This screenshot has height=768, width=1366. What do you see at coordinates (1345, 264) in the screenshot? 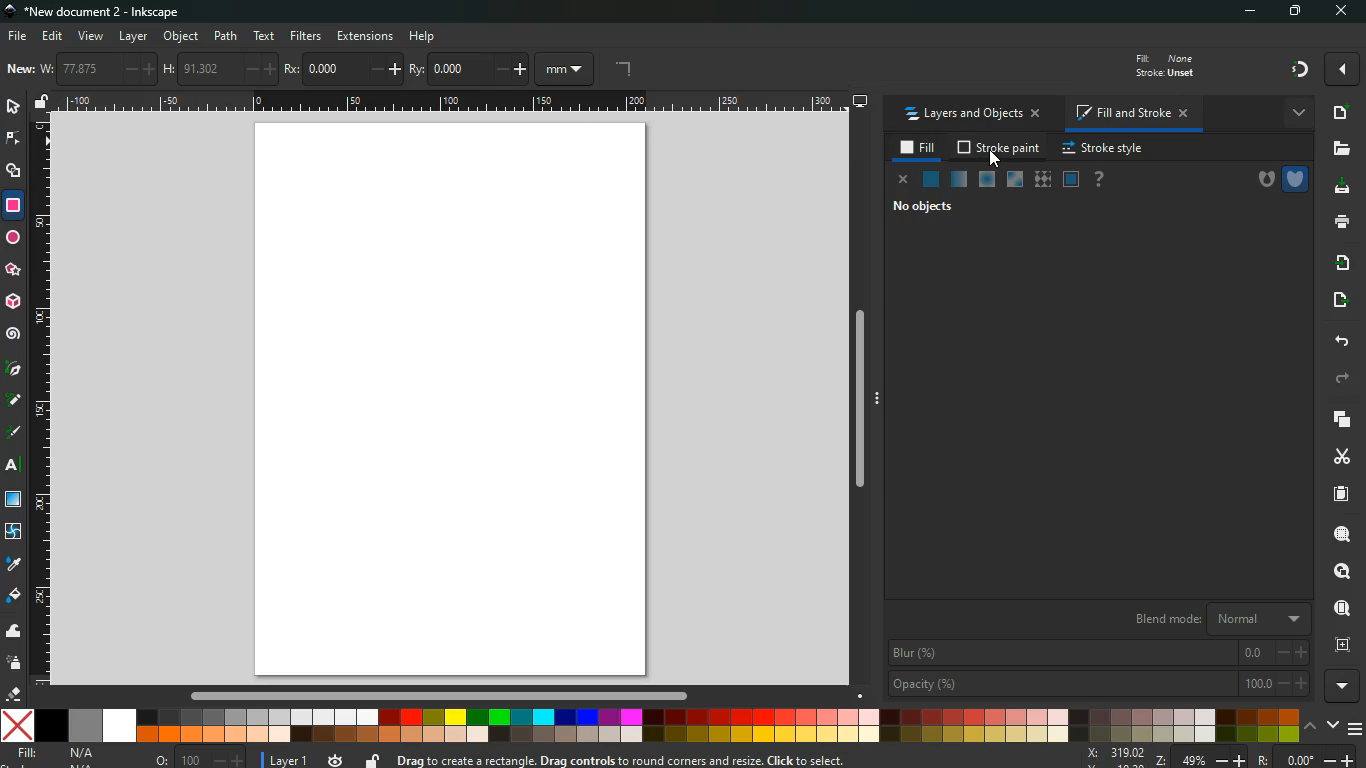
I see `receive` at bounding box center [1345, 264].